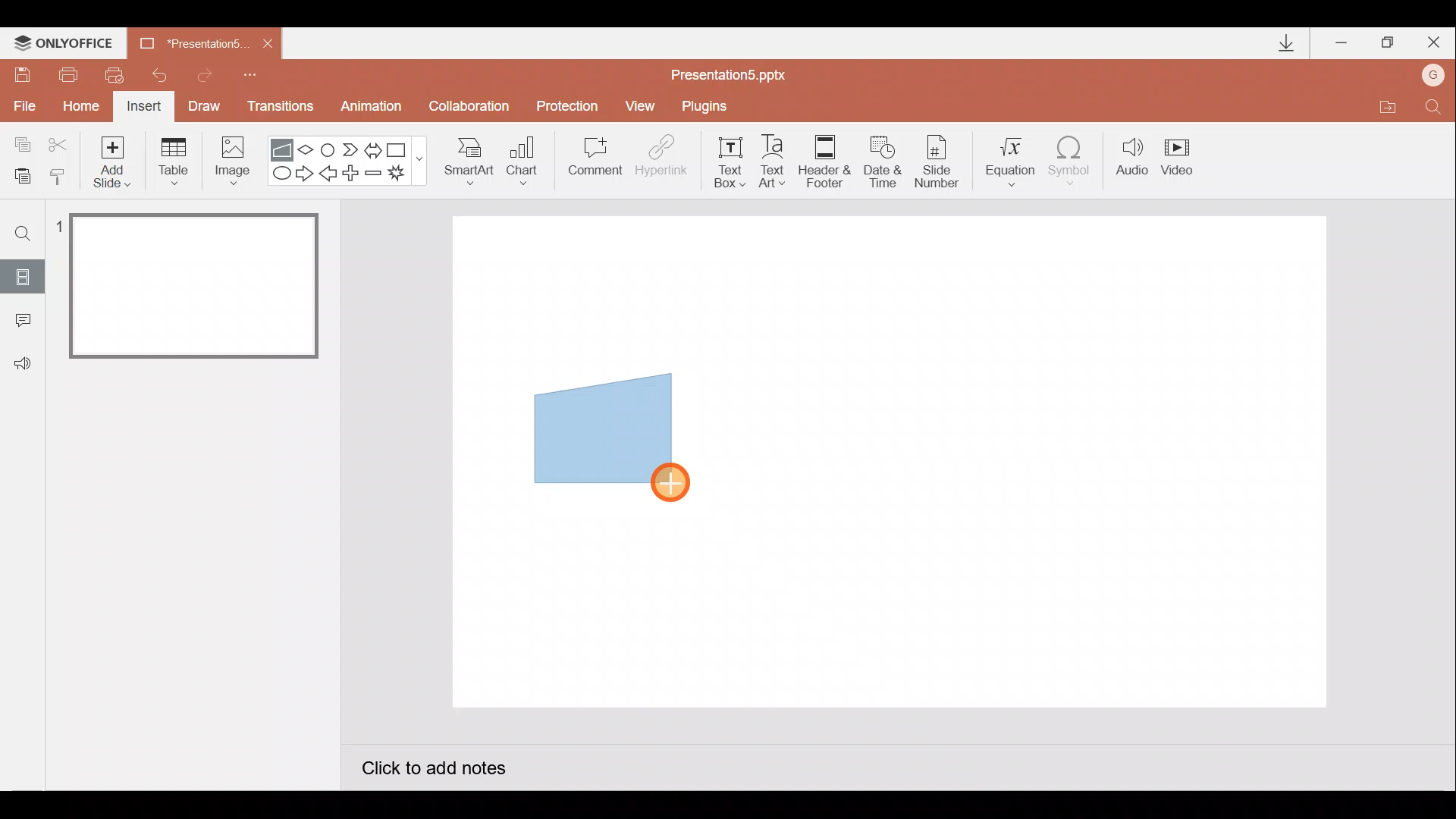 Image resolution: width=1456 pixels, height=819 pixels. Describe the element at coordinates (642, 105) in the screenshot. I see `View` at that location.